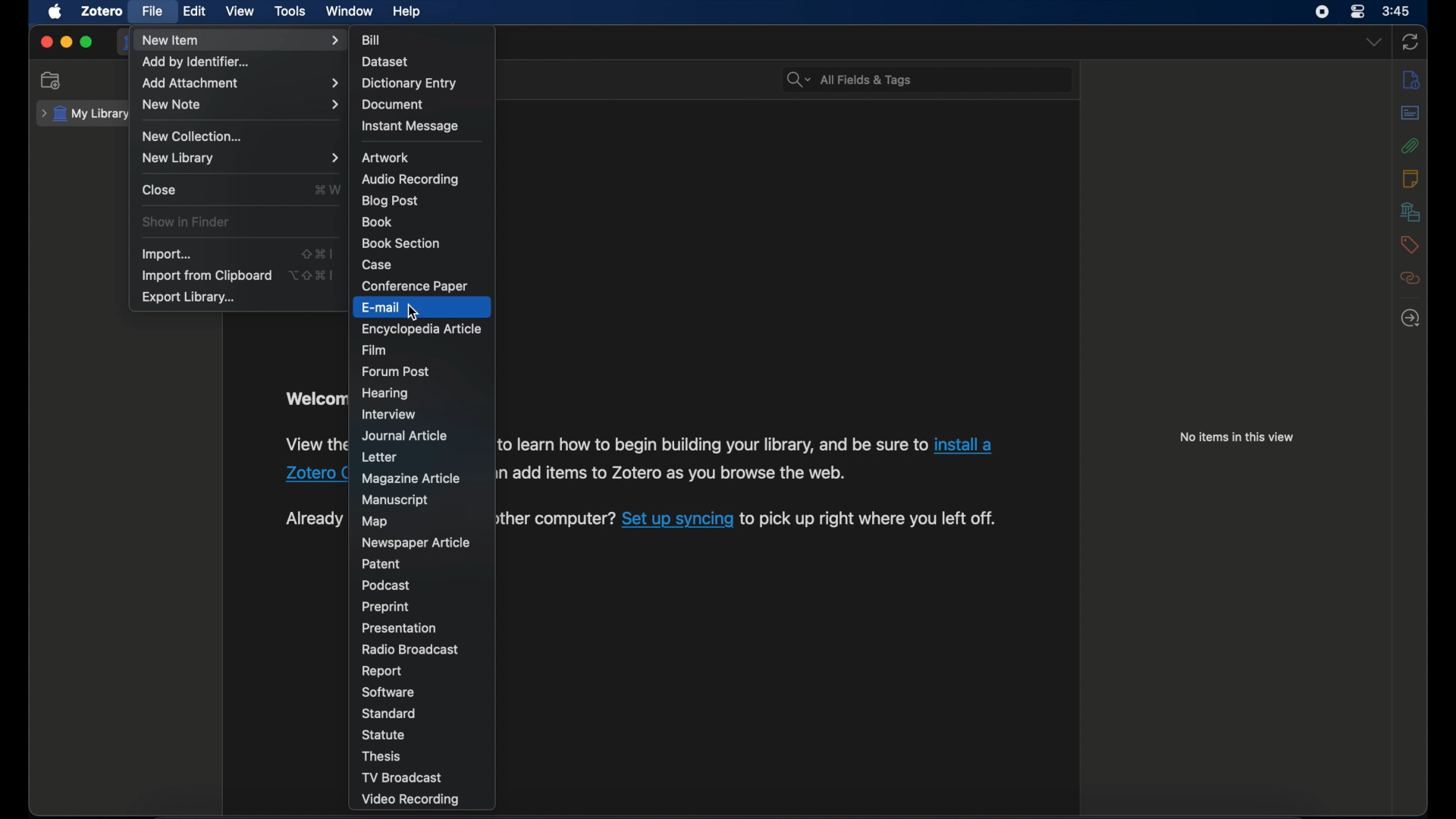  I want to click on film, so click(378, 350).